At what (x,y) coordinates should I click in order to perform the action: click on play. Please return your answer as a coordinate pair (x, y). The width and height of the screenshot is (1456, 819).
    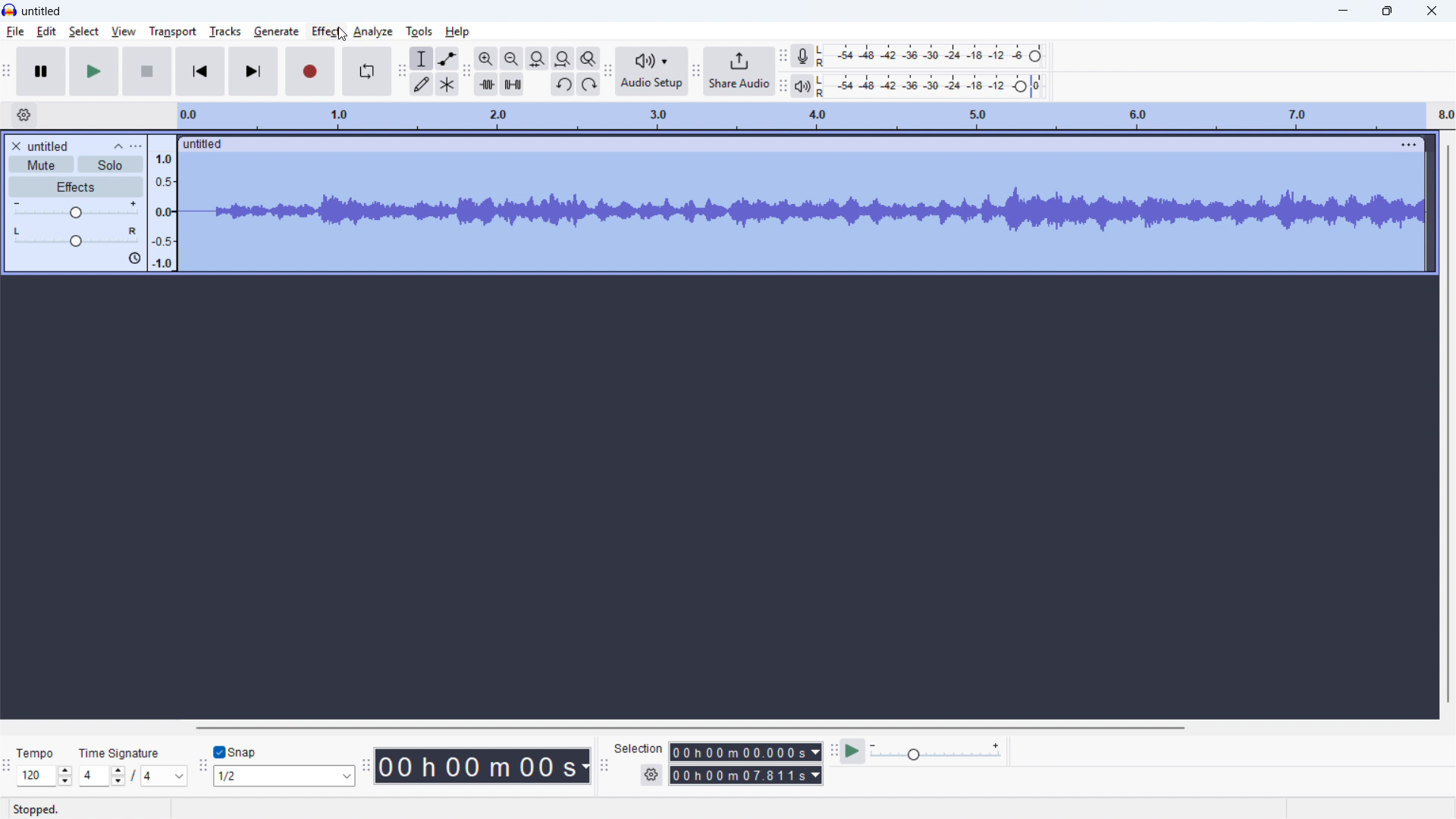
    Looking at the image, I should click on (94, 72).